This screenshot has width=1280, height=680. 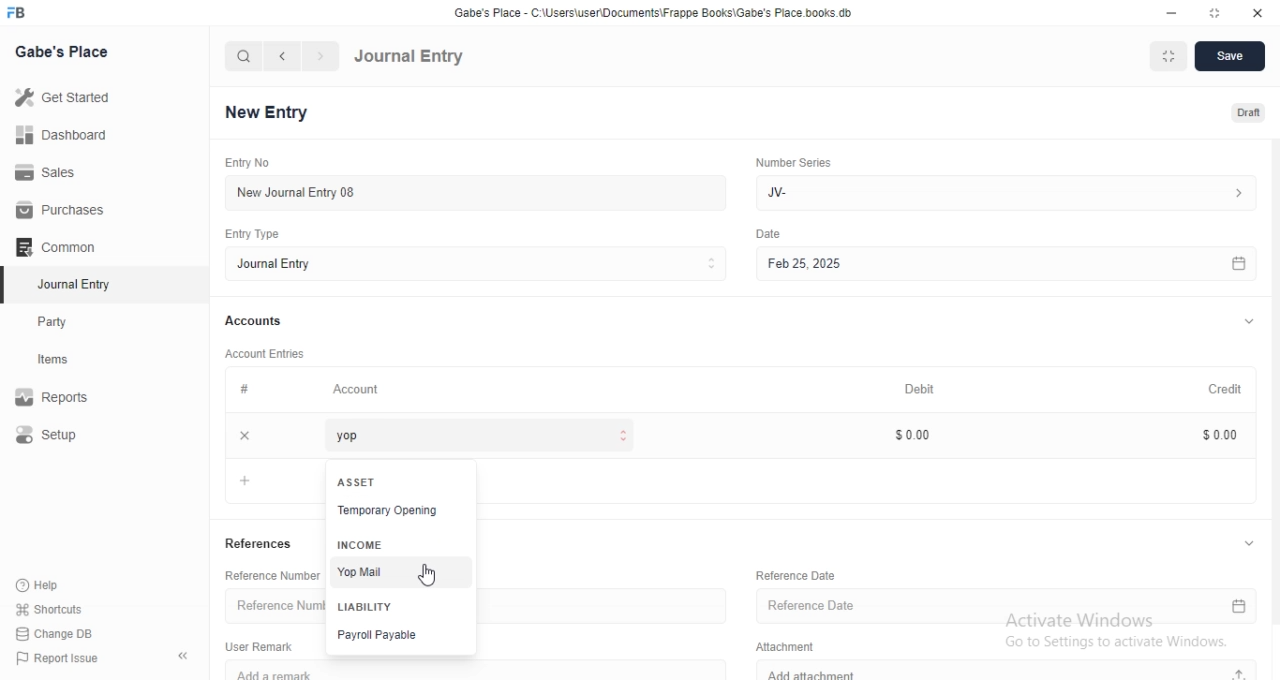 What do you see at coordinates (1248, 323) in the screenshot?
I see `expand/collapse` at bounding box center [1248, 323].